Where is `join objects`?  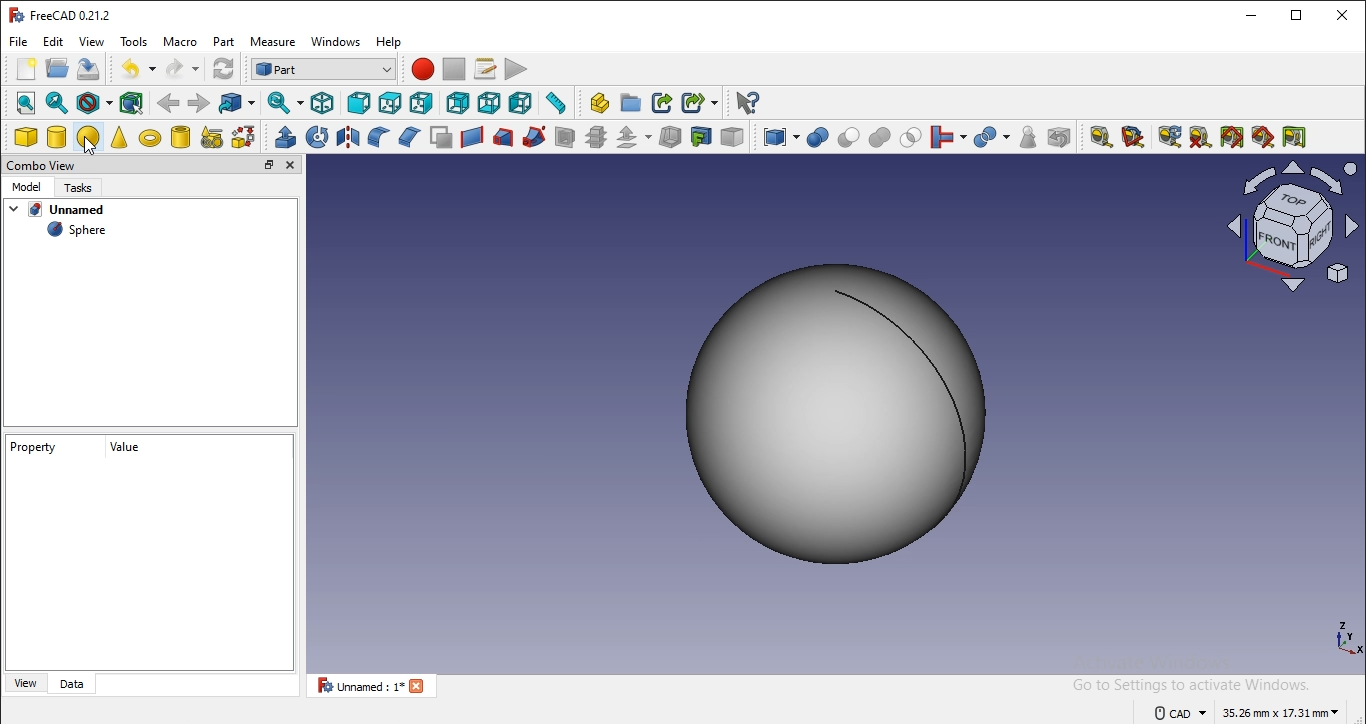
join objects is located at coordinates (944, 138).